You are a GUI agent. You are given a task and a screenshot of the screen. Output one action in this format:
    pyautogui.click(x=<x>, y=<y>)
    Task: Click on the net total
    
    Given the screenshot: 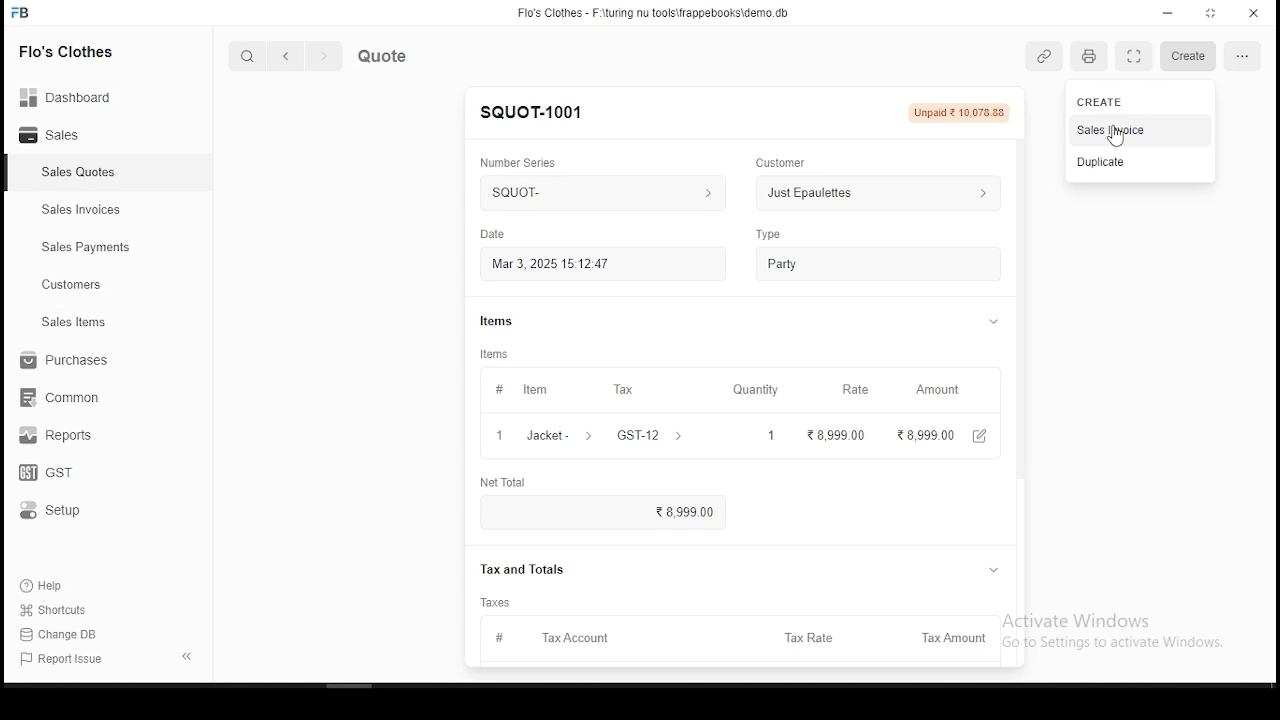 What is the action you would take?
    pyautogui.click(x=511, y=482)
    